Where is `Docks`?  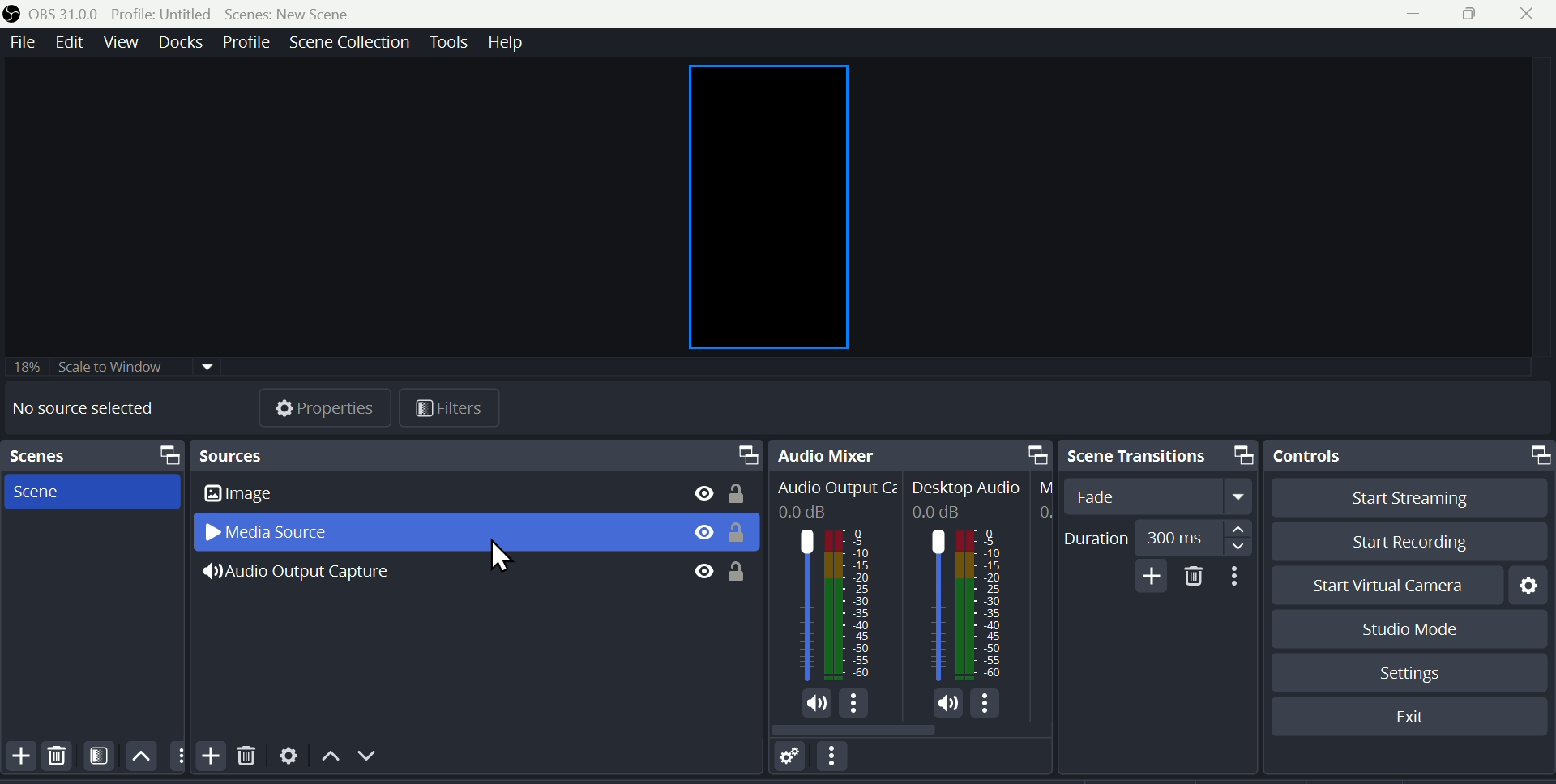
Docks is located at coordinates (179, 42).